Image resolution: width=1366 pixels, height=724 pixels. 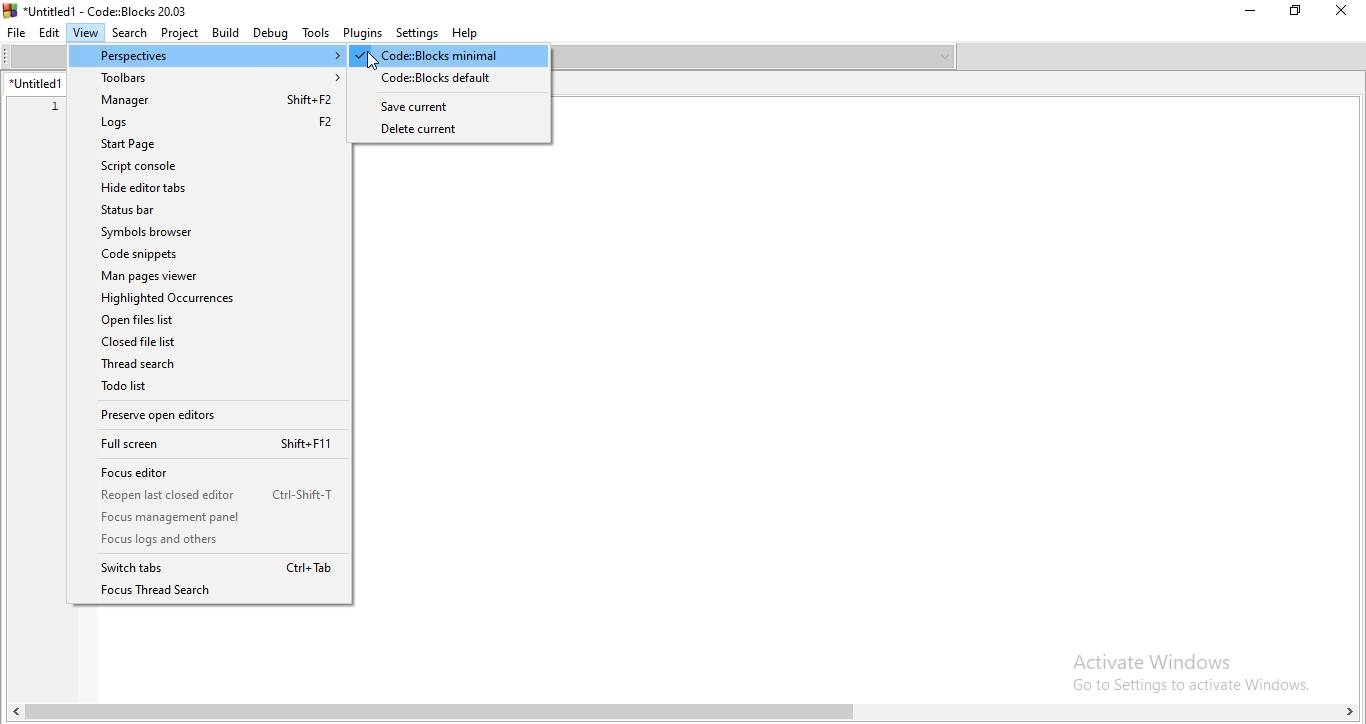 I want to click on Focus editor, so click(x=213, y=472).